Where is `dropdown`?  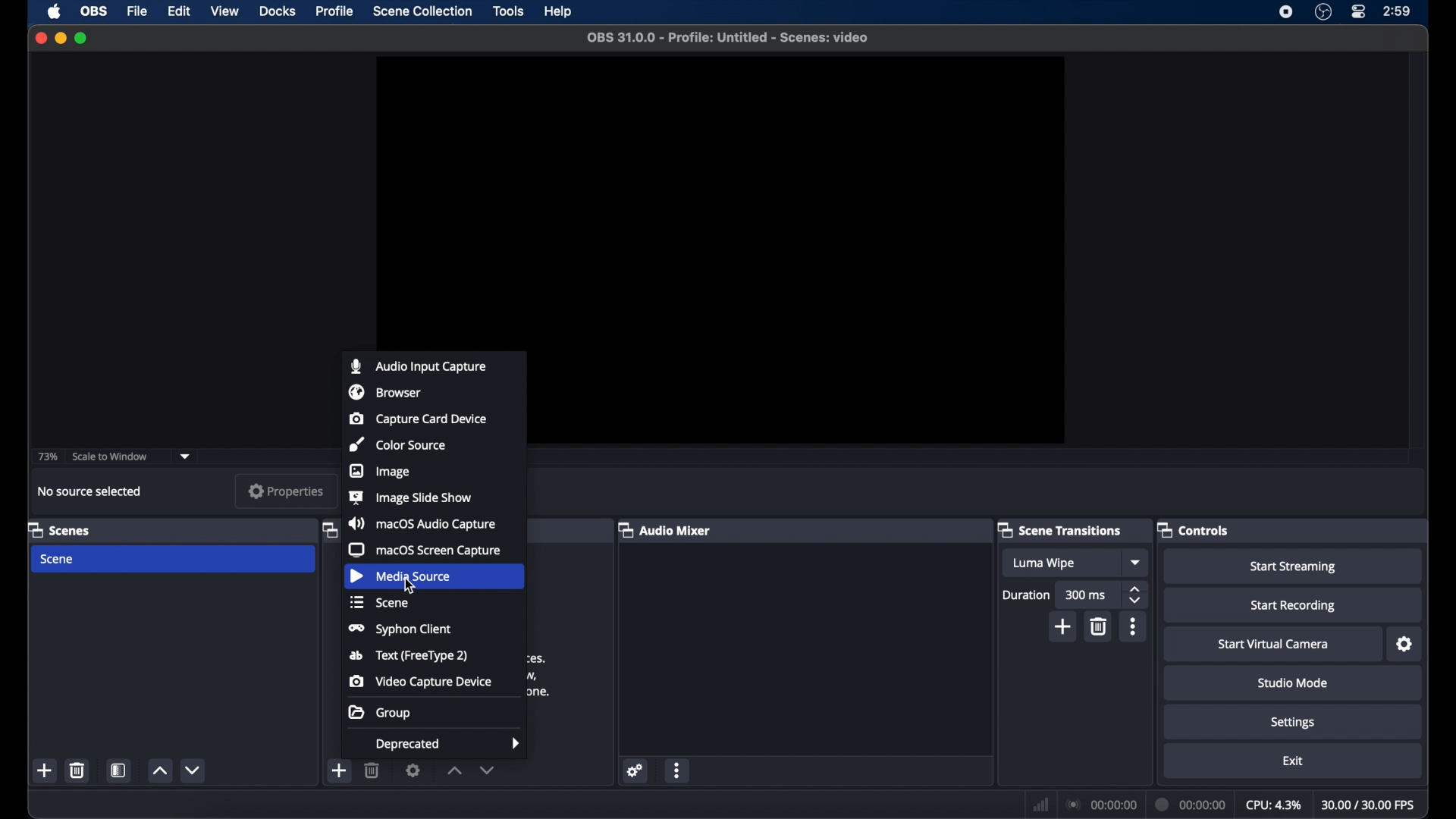 dropdown is located at coordinates (186, 457).